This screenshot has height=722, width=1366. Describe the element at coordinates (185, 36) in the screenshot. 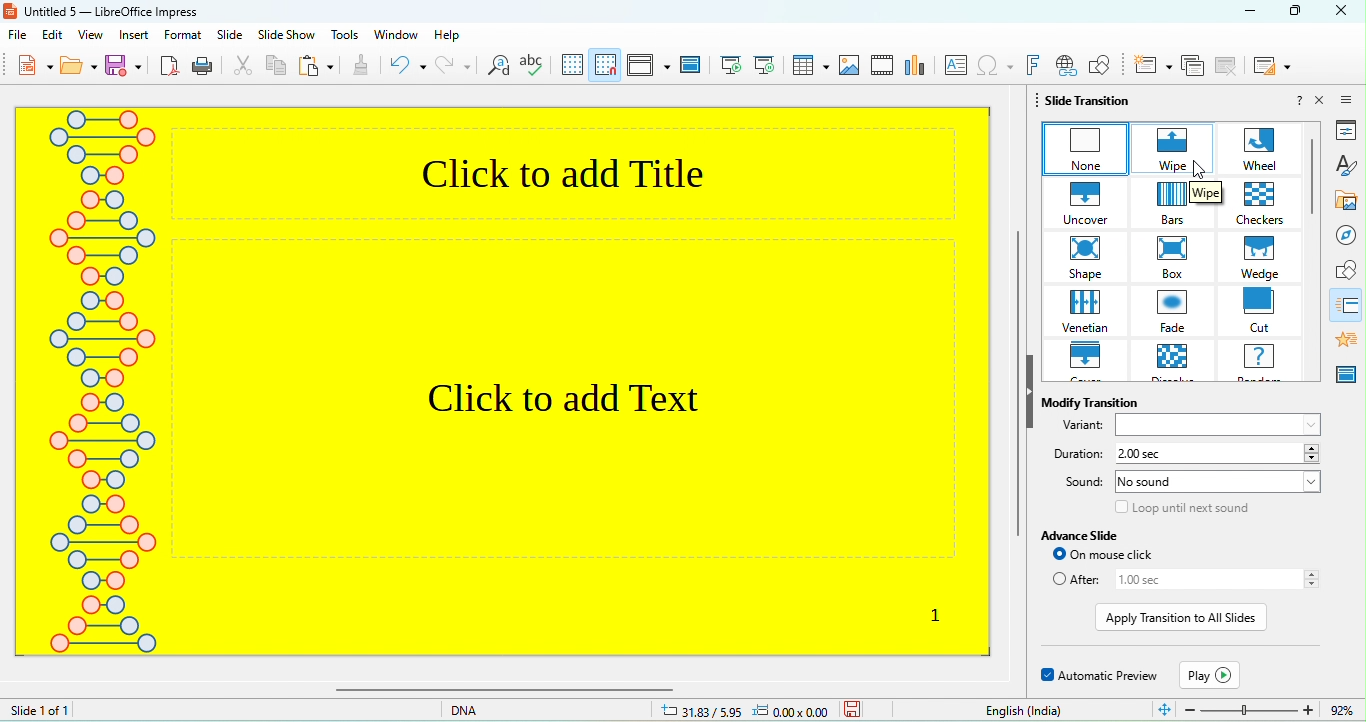

I see `format` at that location.